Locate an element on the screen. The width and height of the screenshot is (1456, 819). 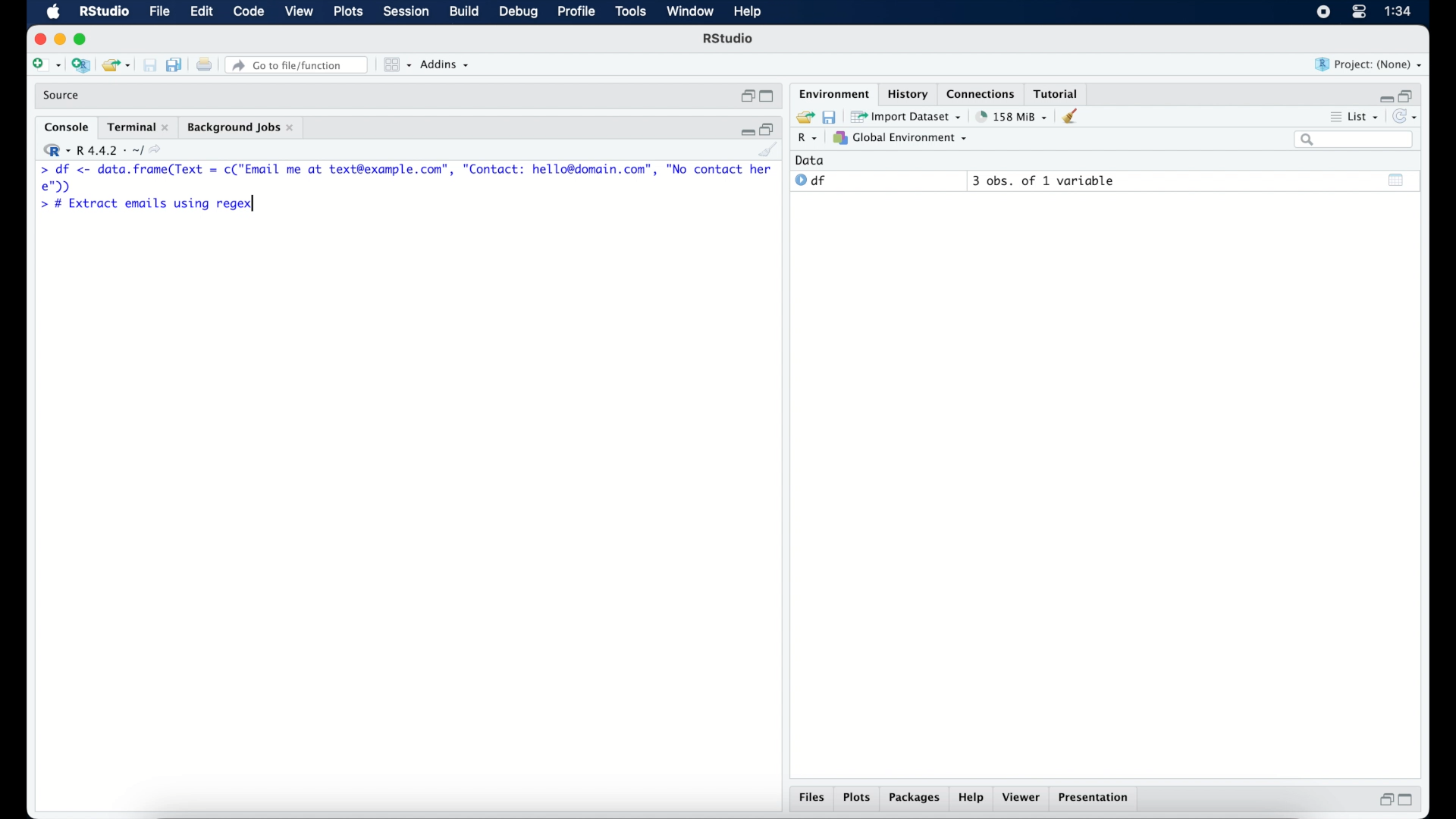
restore down is located at coordinates (1385, 802).